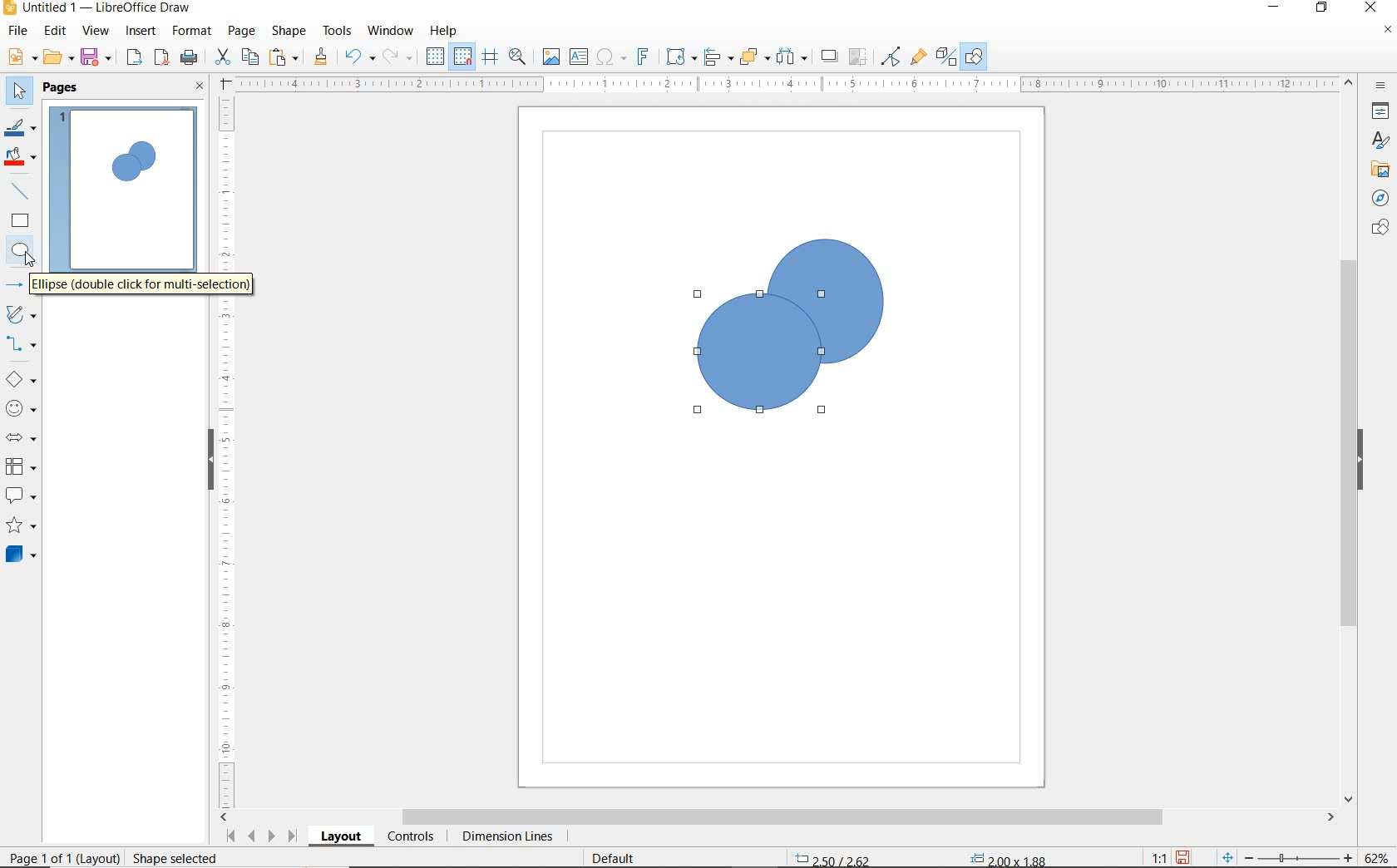 The height and width of the screenshot is (868, 1397). I want to click on STANDARD SELECTION, so click(921, 854).